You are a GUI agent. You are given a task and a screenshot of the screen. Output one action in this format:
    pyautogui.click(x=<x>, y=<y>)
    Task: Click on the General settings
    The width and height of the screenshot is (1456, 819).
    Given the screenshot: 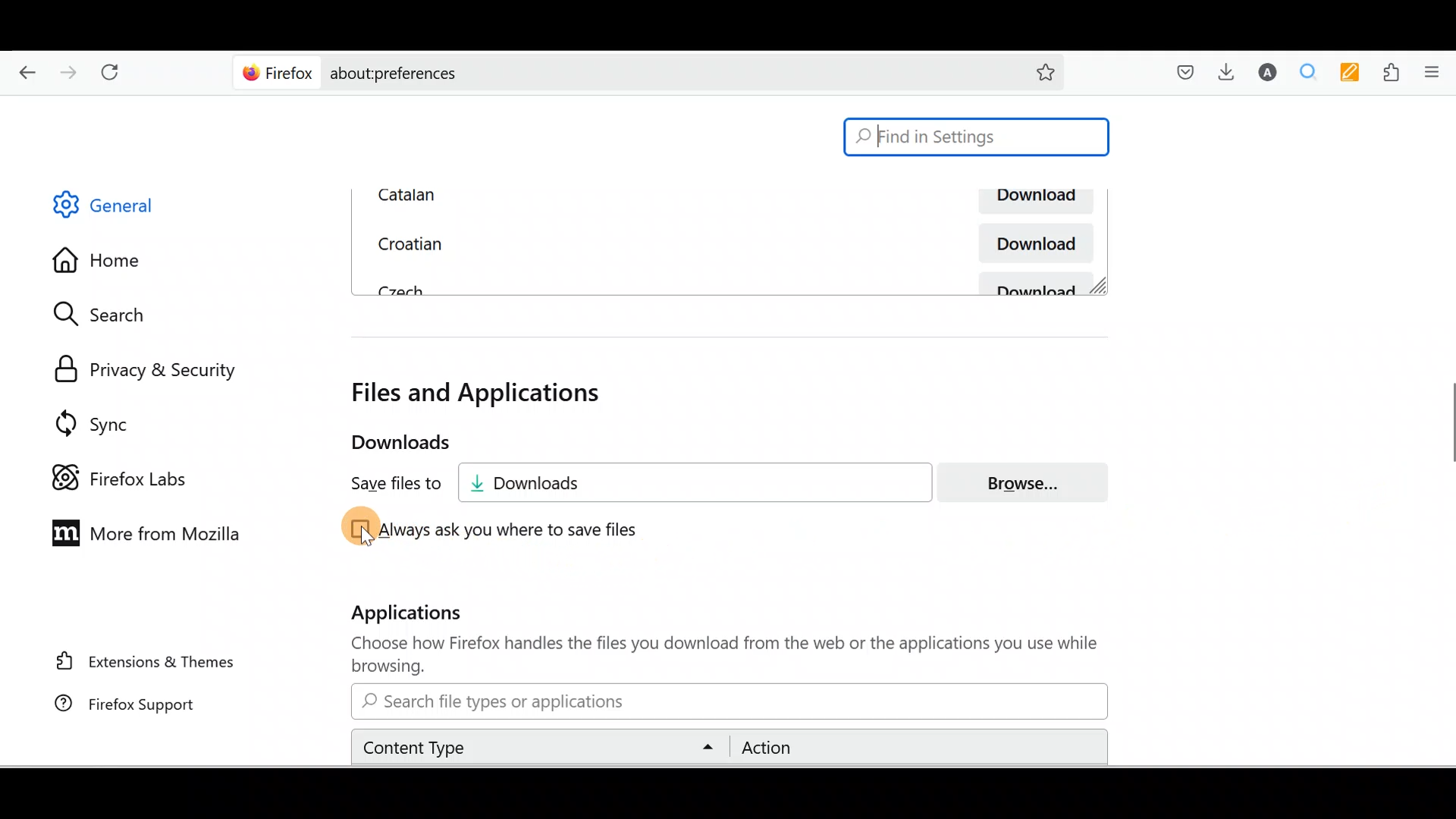 What is the action you would take?
    pyautogui.click(x=117, y=209)
    